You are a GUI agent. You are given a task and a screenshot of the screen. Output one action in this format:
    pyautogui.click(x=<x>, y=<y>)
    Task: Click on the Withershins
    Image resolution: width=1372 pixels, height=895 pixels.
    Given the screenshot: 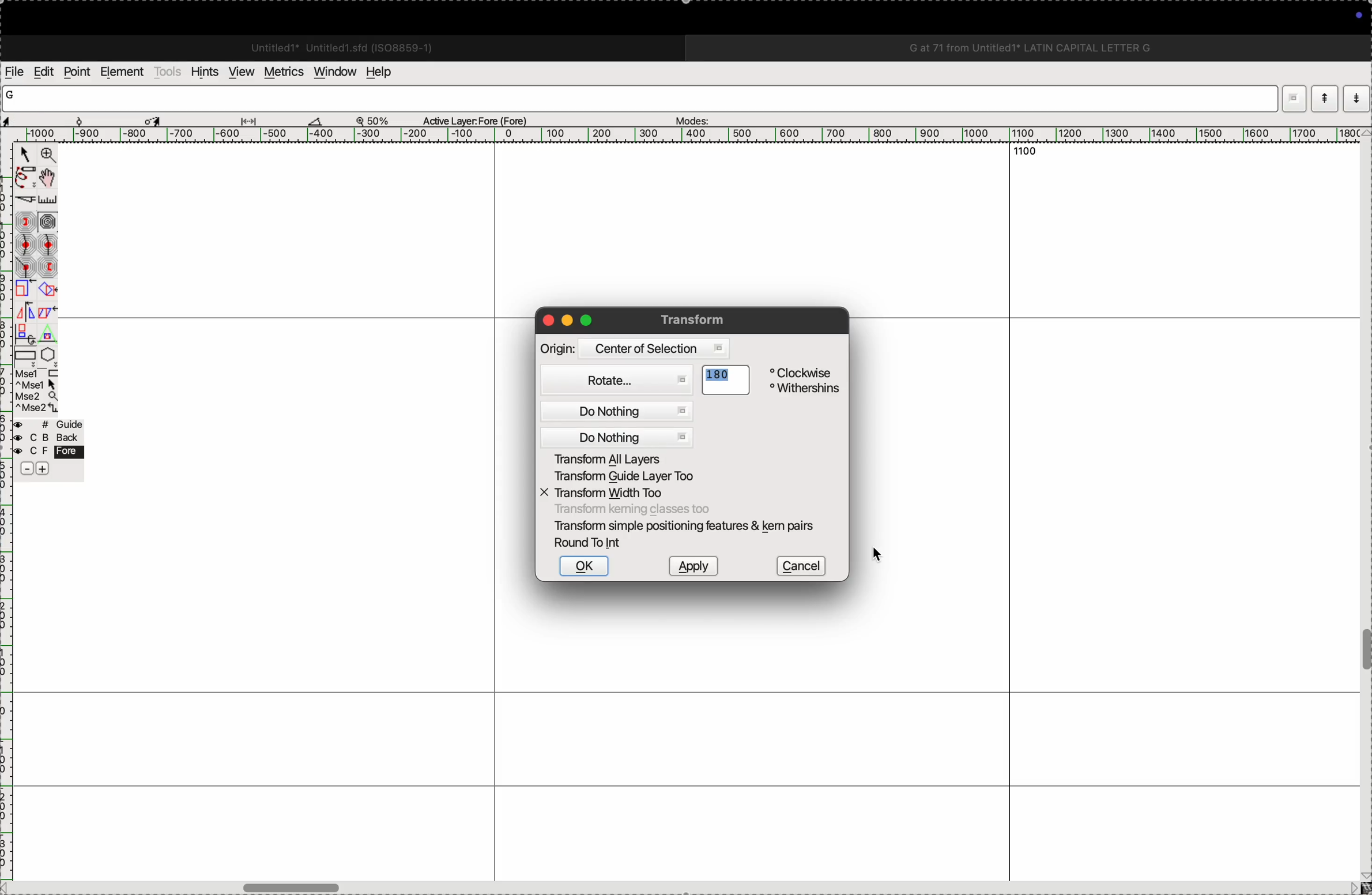 What is the action you would take?
    pyautogui.click(x=805, y=389)
    